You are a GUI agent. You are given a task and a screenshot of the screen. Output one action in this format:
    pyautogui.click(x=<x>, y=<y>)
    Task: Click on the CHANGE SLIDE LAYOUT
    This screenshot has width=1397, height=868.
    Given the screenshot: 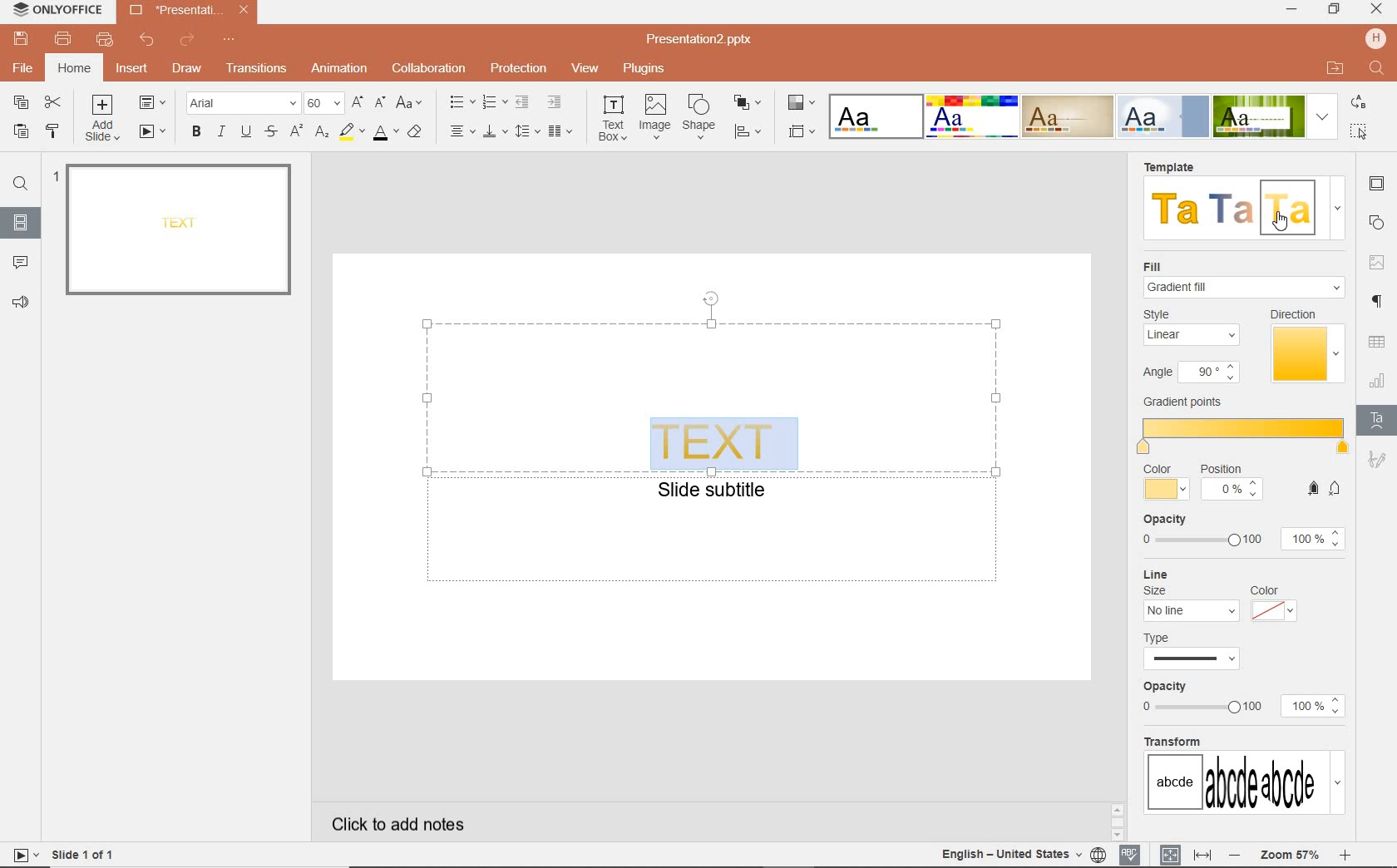 What is the action you would take?
    pyautogui.click(x=156, y=104)
    